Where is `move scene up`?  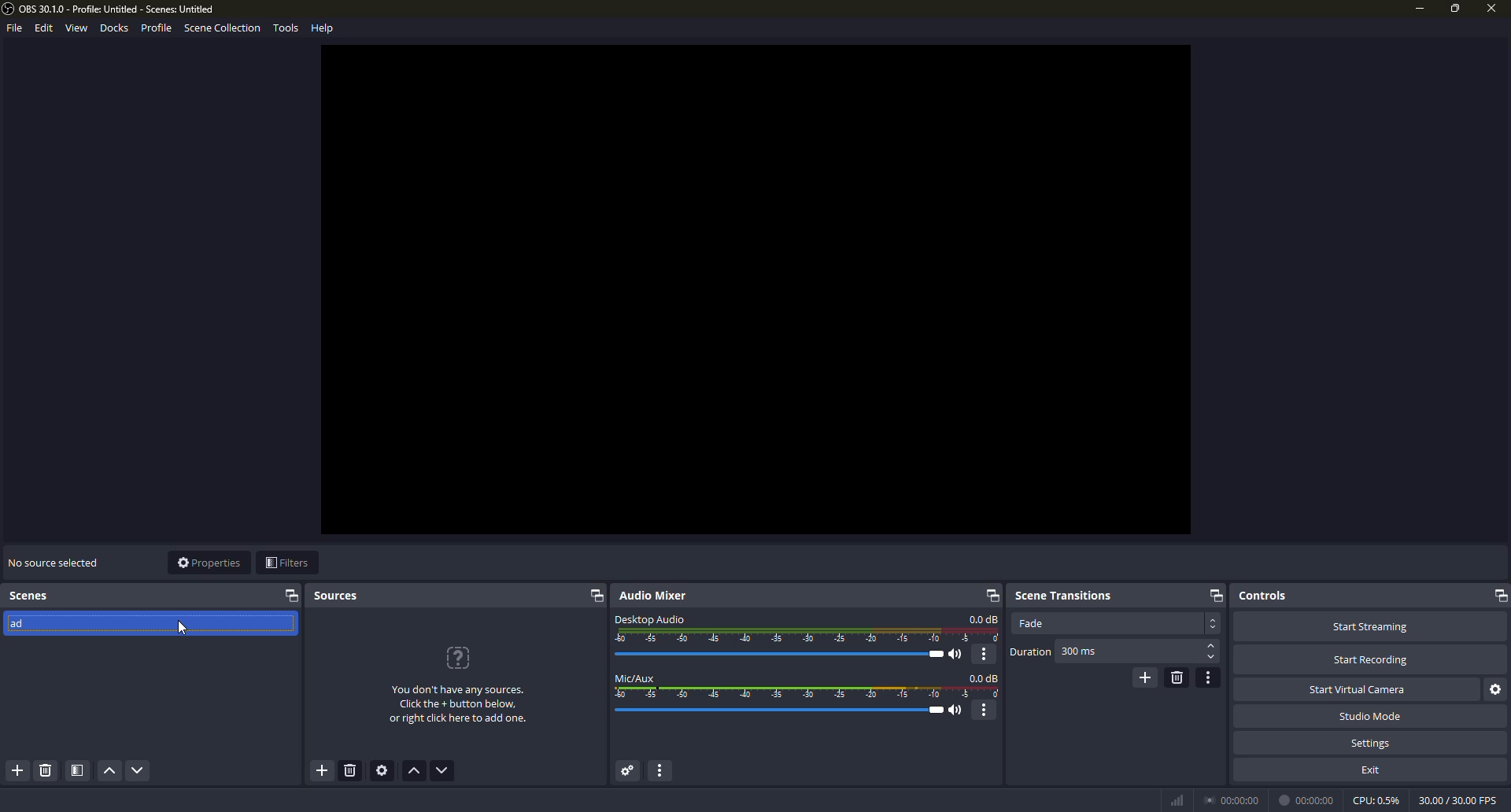 move scene up is located at coordinates (109, 772).